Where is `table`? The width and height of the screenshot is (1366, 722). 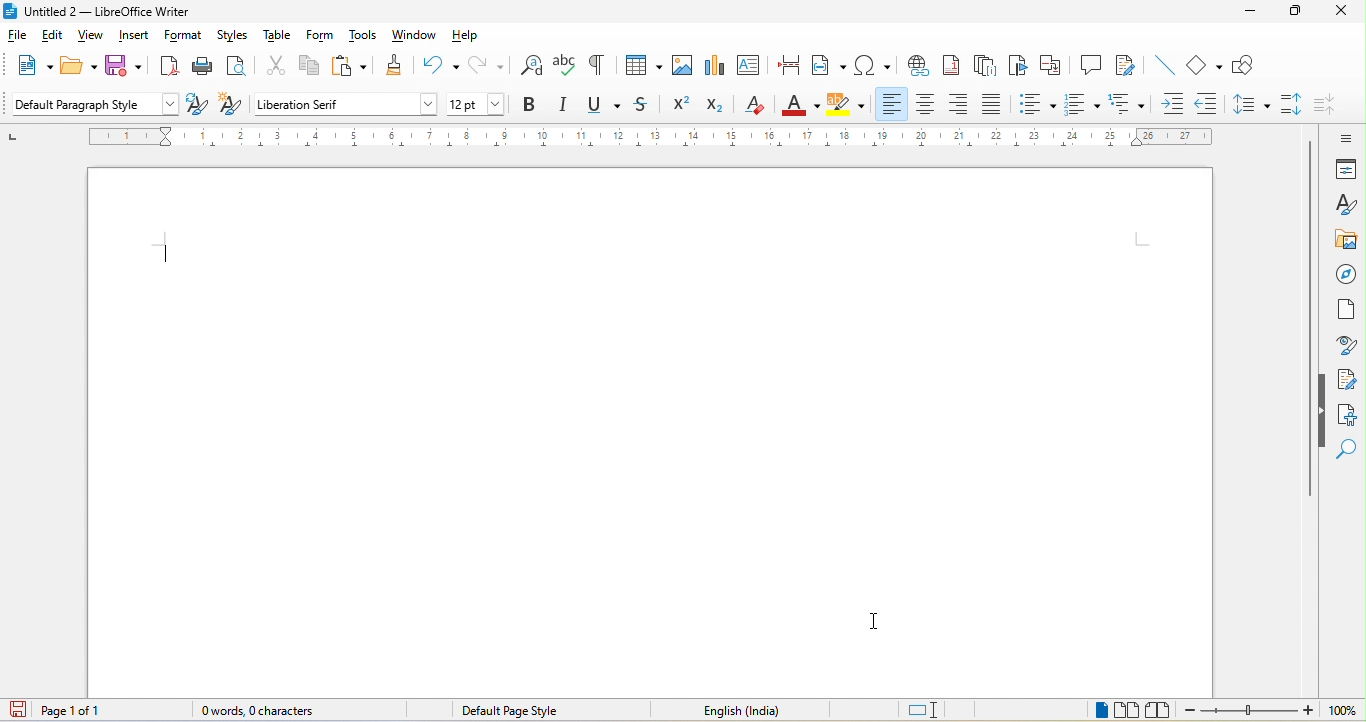 table is located at coordinates (642, 69).